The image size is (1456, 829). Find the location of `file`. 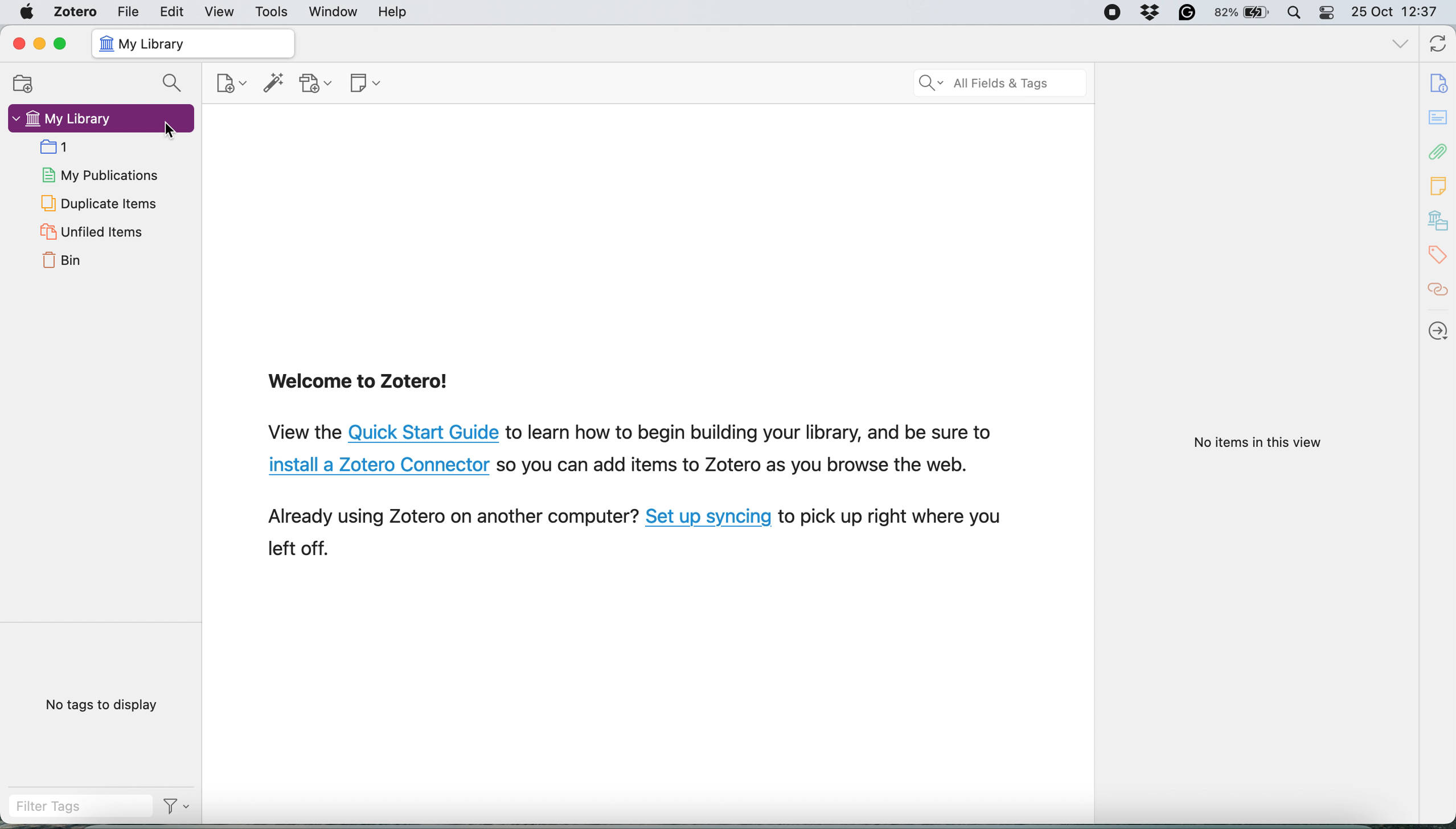

file is located at coordinates (128, 11).